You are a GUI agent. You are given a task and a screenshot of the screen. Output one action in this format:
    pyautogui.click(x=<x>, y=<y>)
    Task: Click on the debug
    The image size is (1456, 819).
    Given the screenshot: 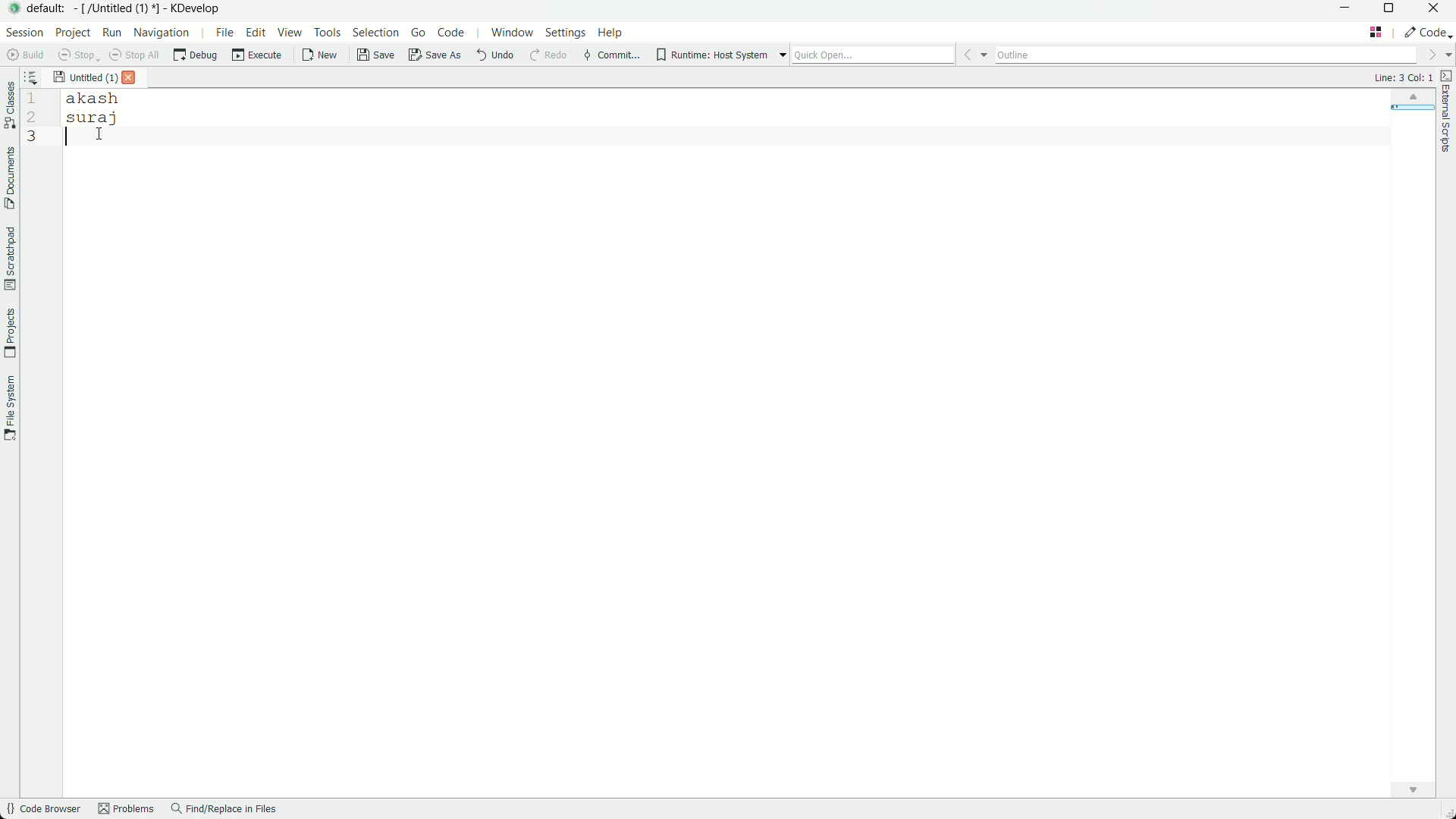 What is the action you would take?
    pyautogui.click(x=196, y=55)
    